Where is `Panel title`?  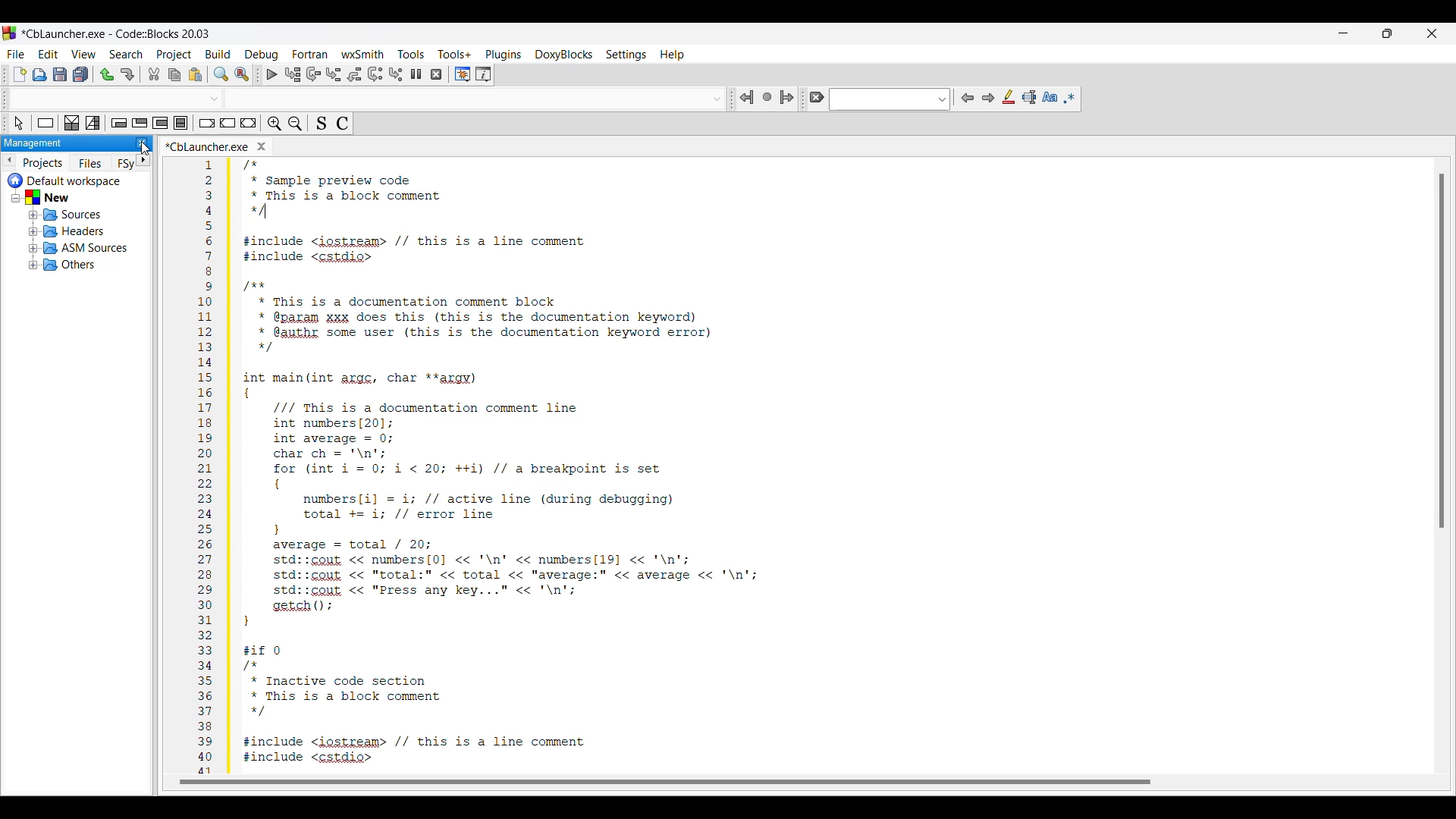
Panel title is located at coordinates (33, 143).